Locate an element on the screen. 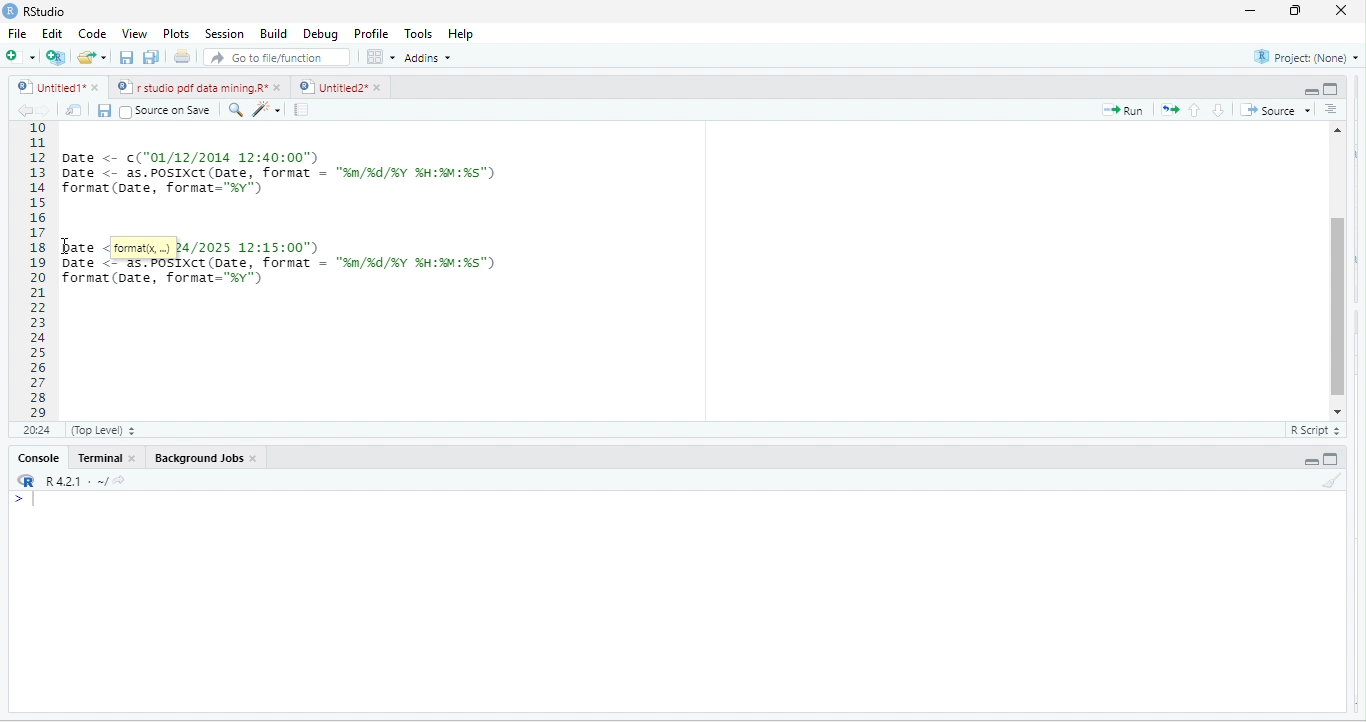  re run the previous code region is located at coordinates (1173, 108).